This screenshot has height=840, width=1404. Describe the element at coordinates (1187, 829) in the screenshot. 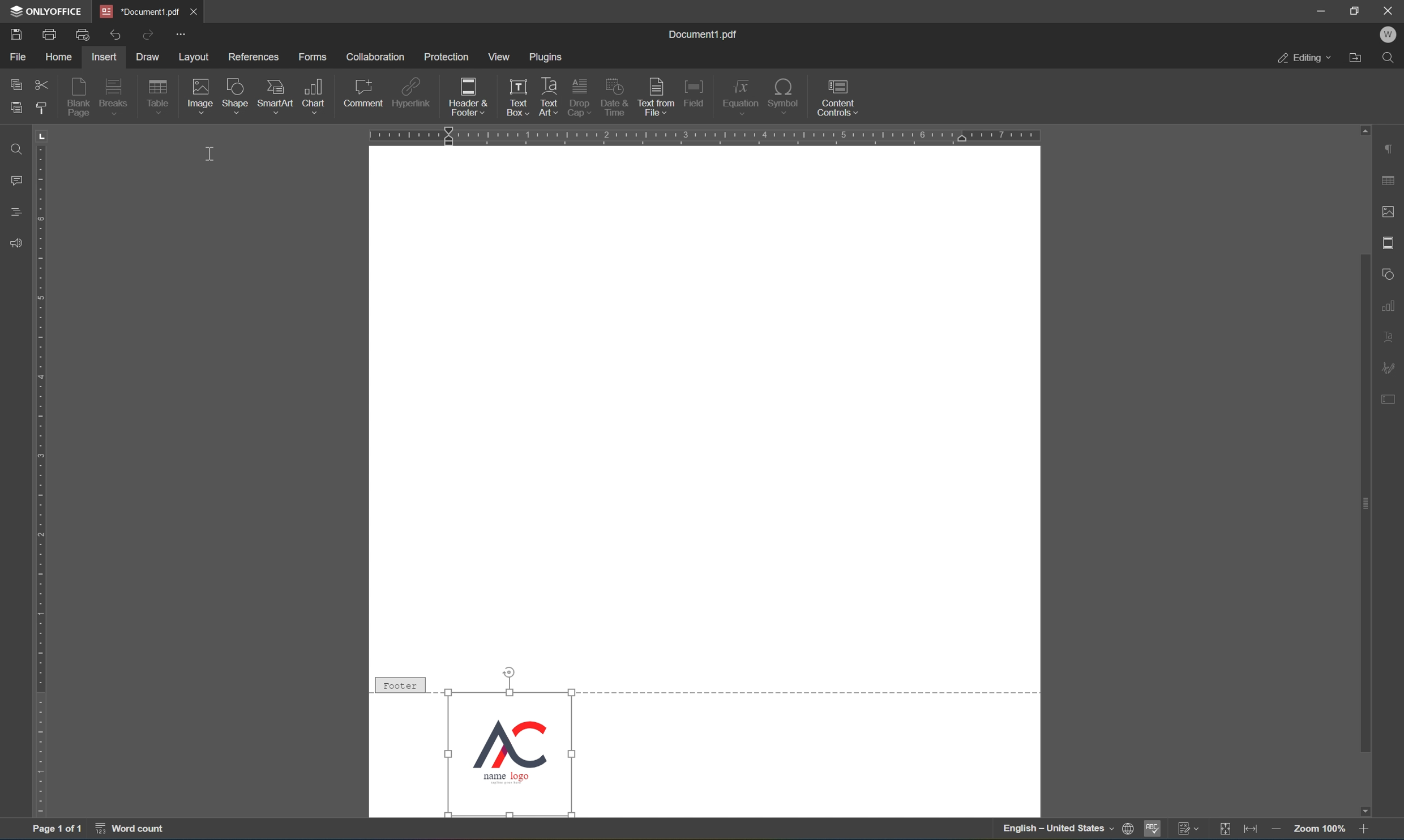

I see `track changes` at that location.